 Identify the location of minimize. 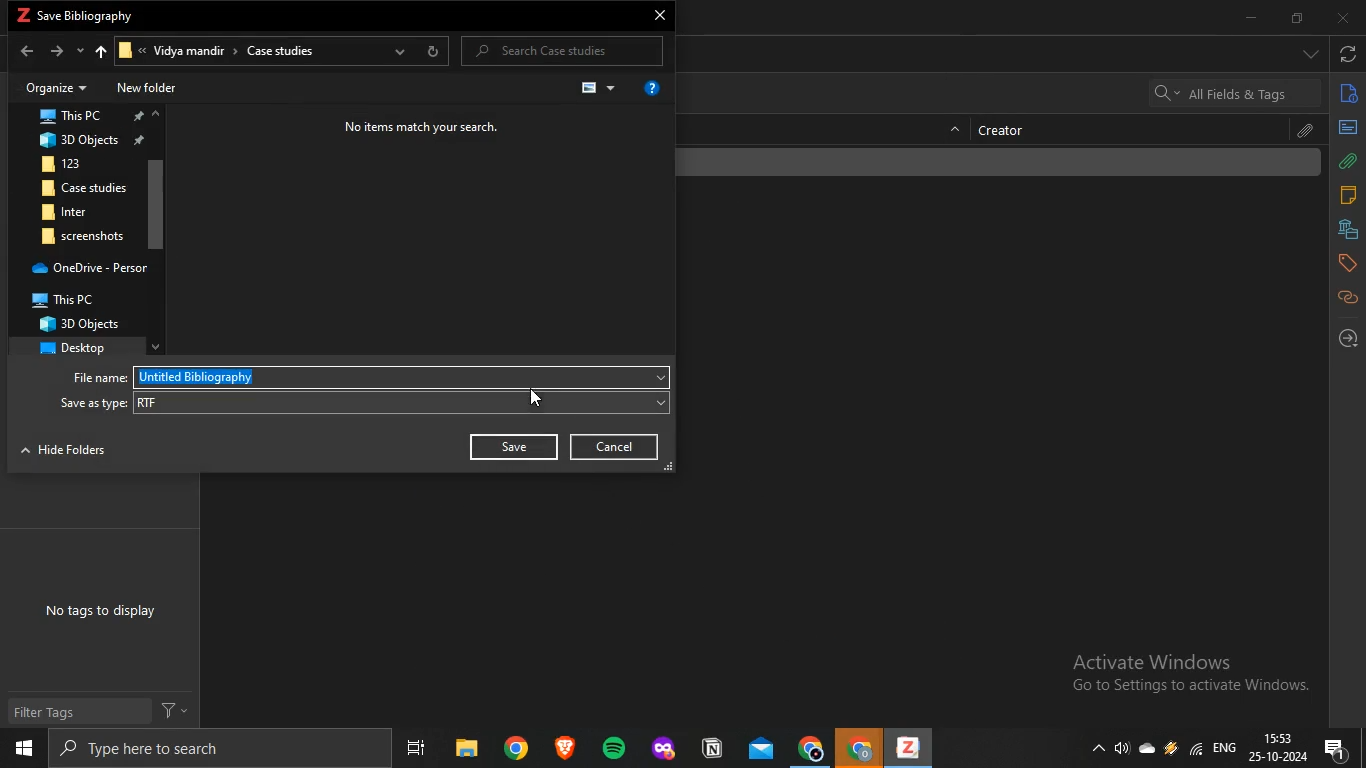
(1255, 19).